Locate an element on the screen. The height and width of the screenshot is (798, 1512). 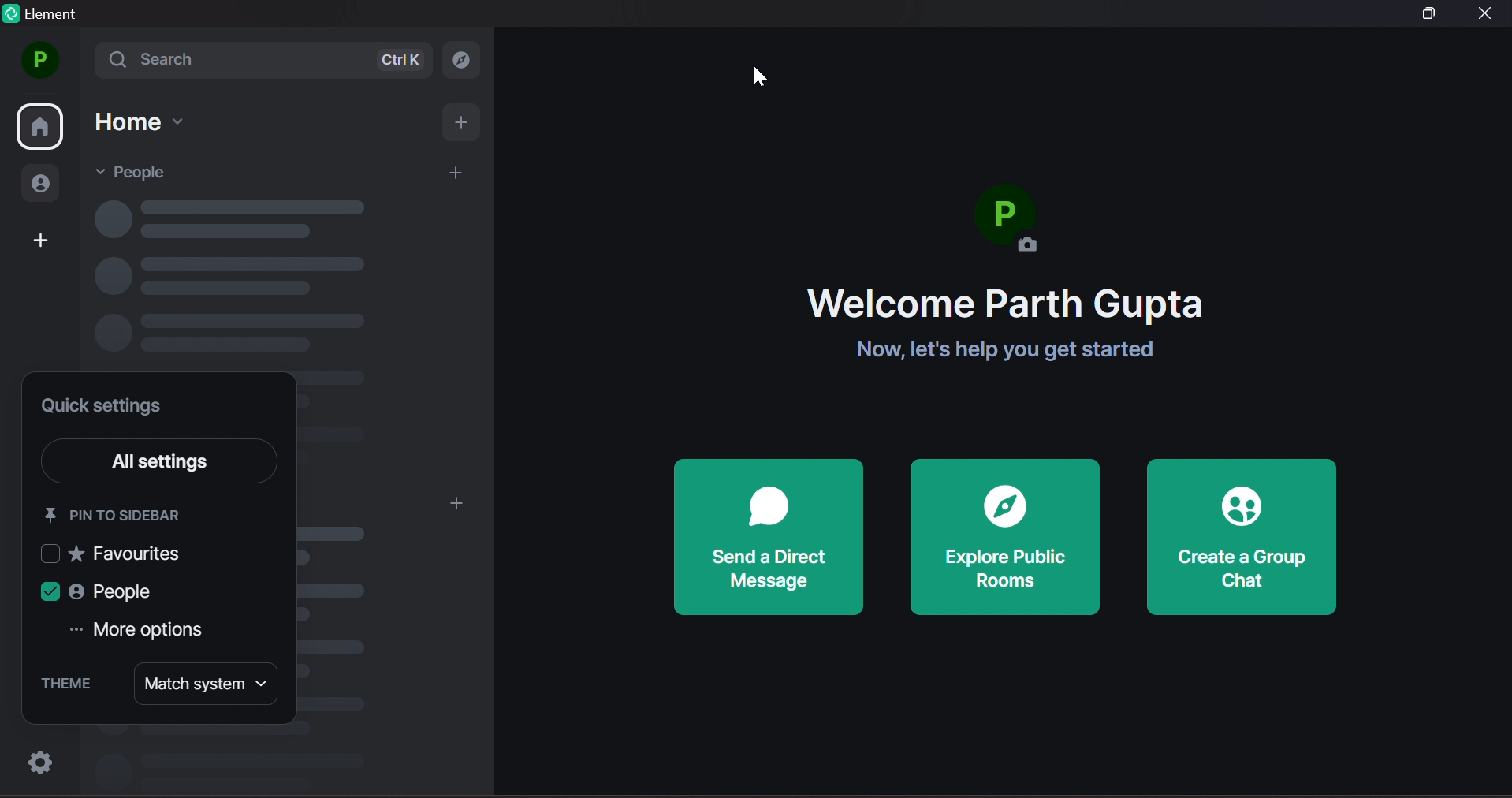
profile is located at coordinates (1015, 226).